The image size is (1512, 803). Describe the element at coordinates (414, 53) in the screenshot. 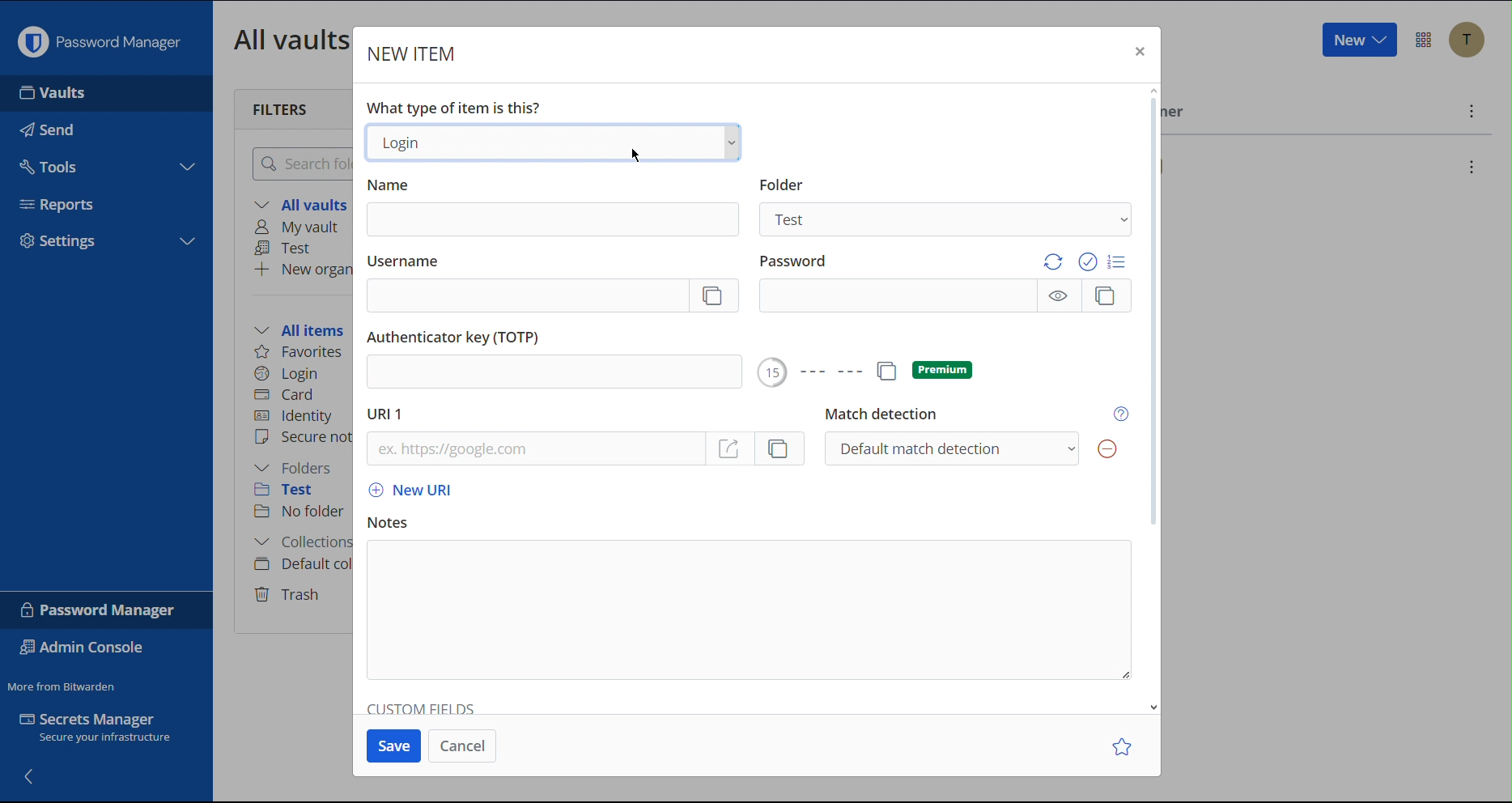

I see `New Item` at that location.